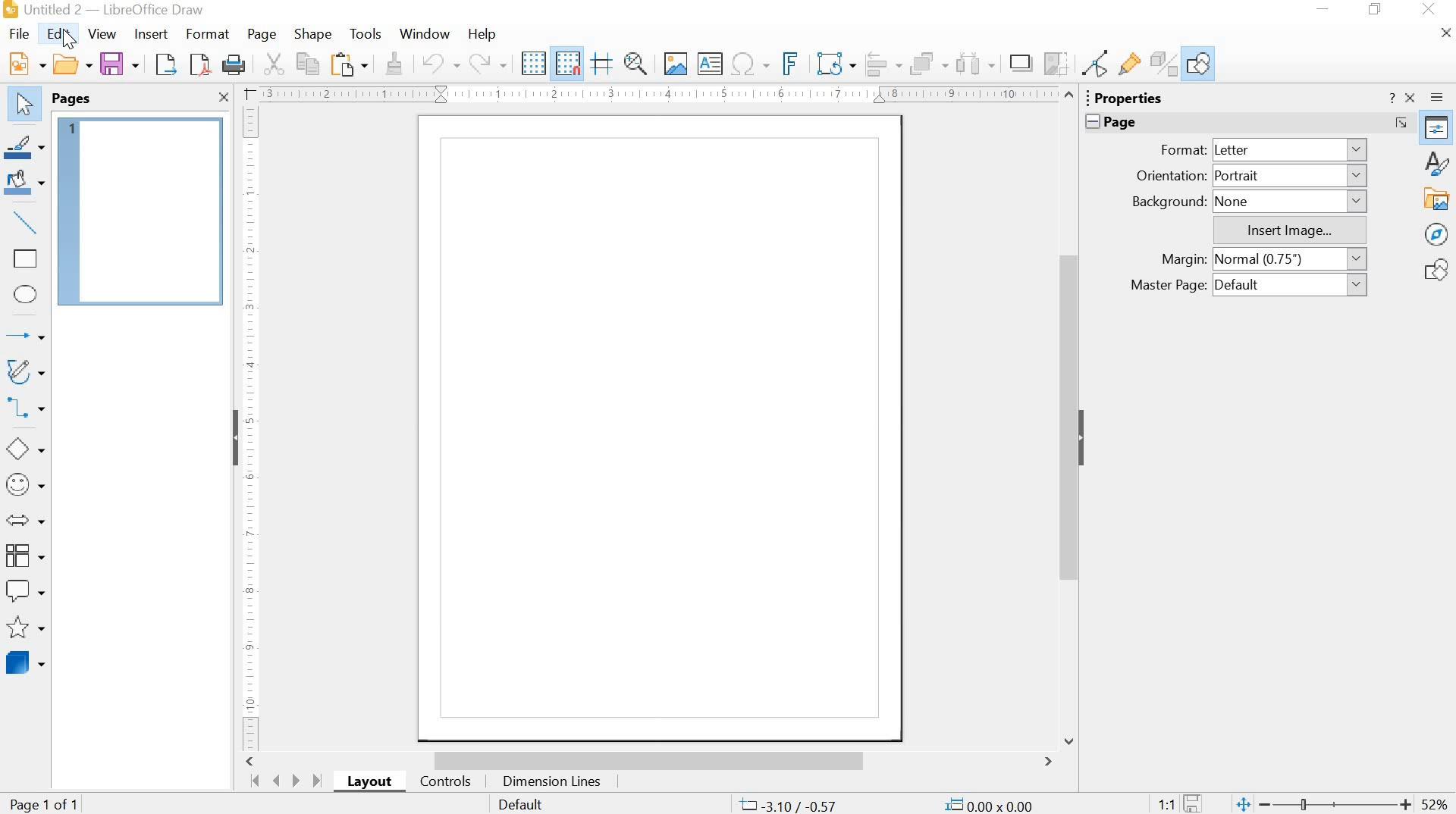 The height and width of the screenshot is (814, 1456). Describe the element at coordinates (1437, 162) in the screenshot. I see `Styles` at that location.